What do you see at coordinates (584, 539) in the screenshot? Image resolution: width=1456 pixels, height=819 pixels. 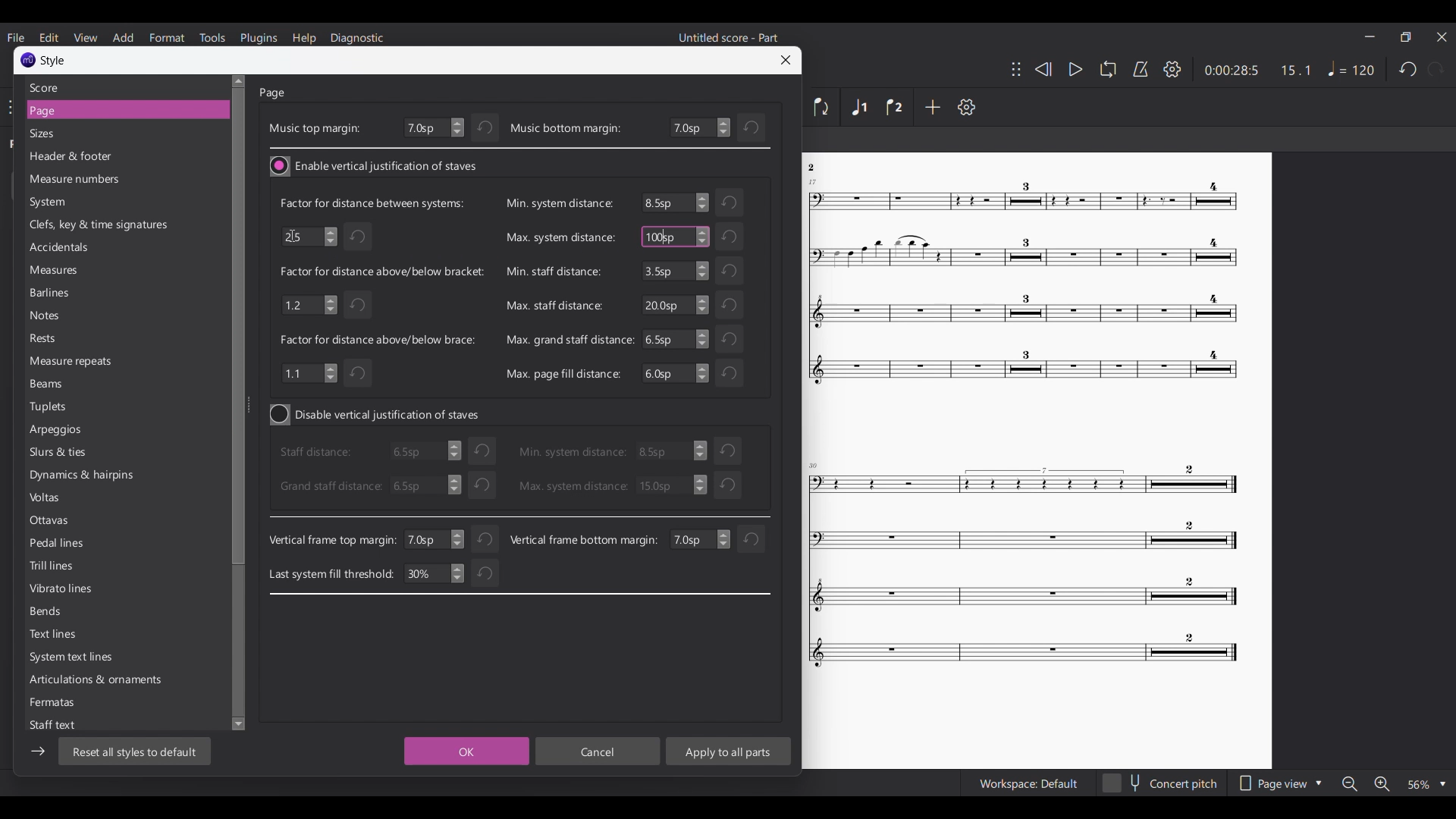 I see `Vertical frame bottom margin` at bounding box center [584, 539].